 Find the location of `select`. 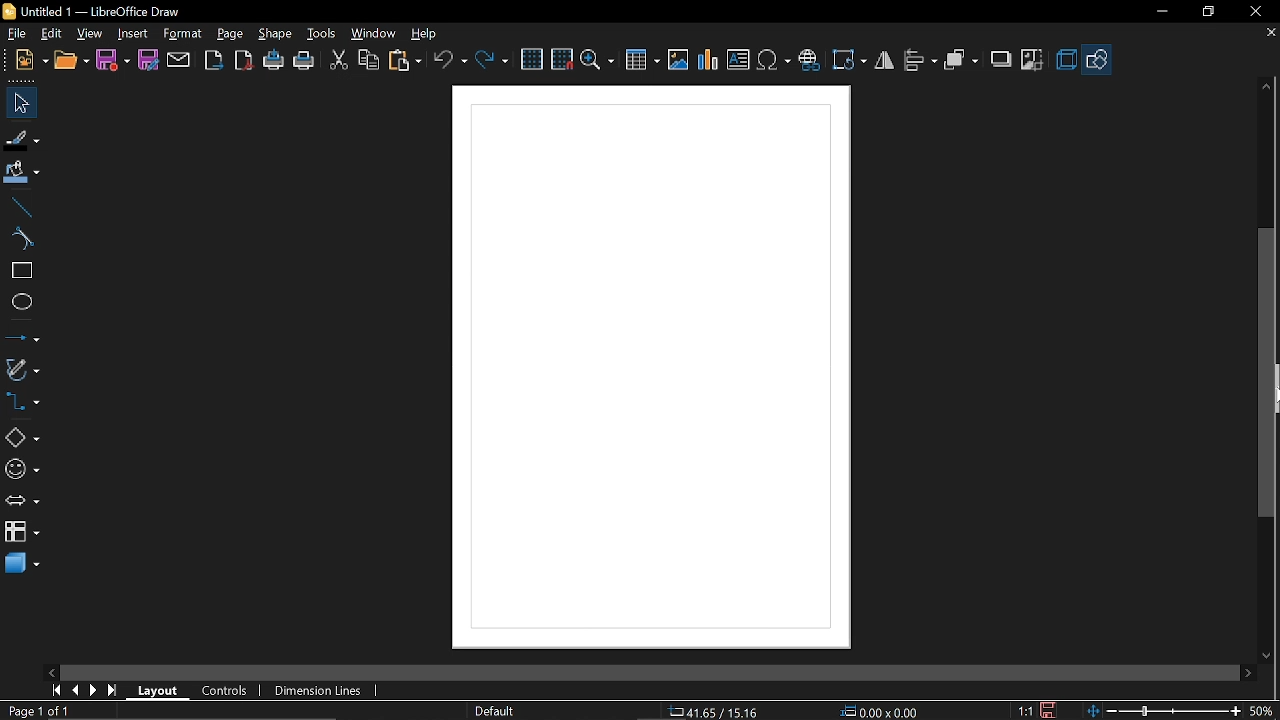

select is located at coordinates (18, 103).